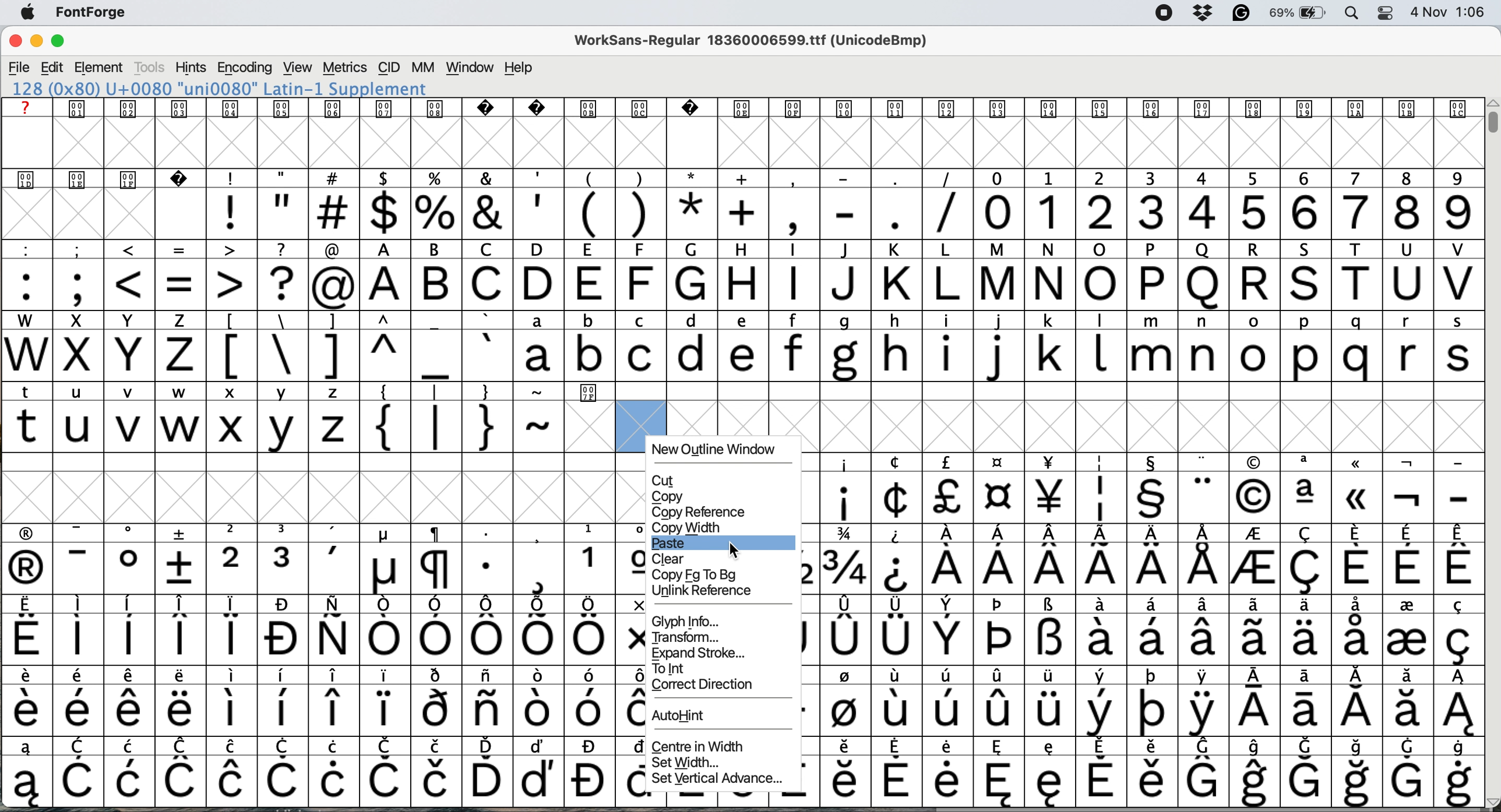 This screenshot has height=812, width=1501. What do you see at coordinates (702, 513) in the screenshot?
I see `copy reference` at bounding box center [702, 513].